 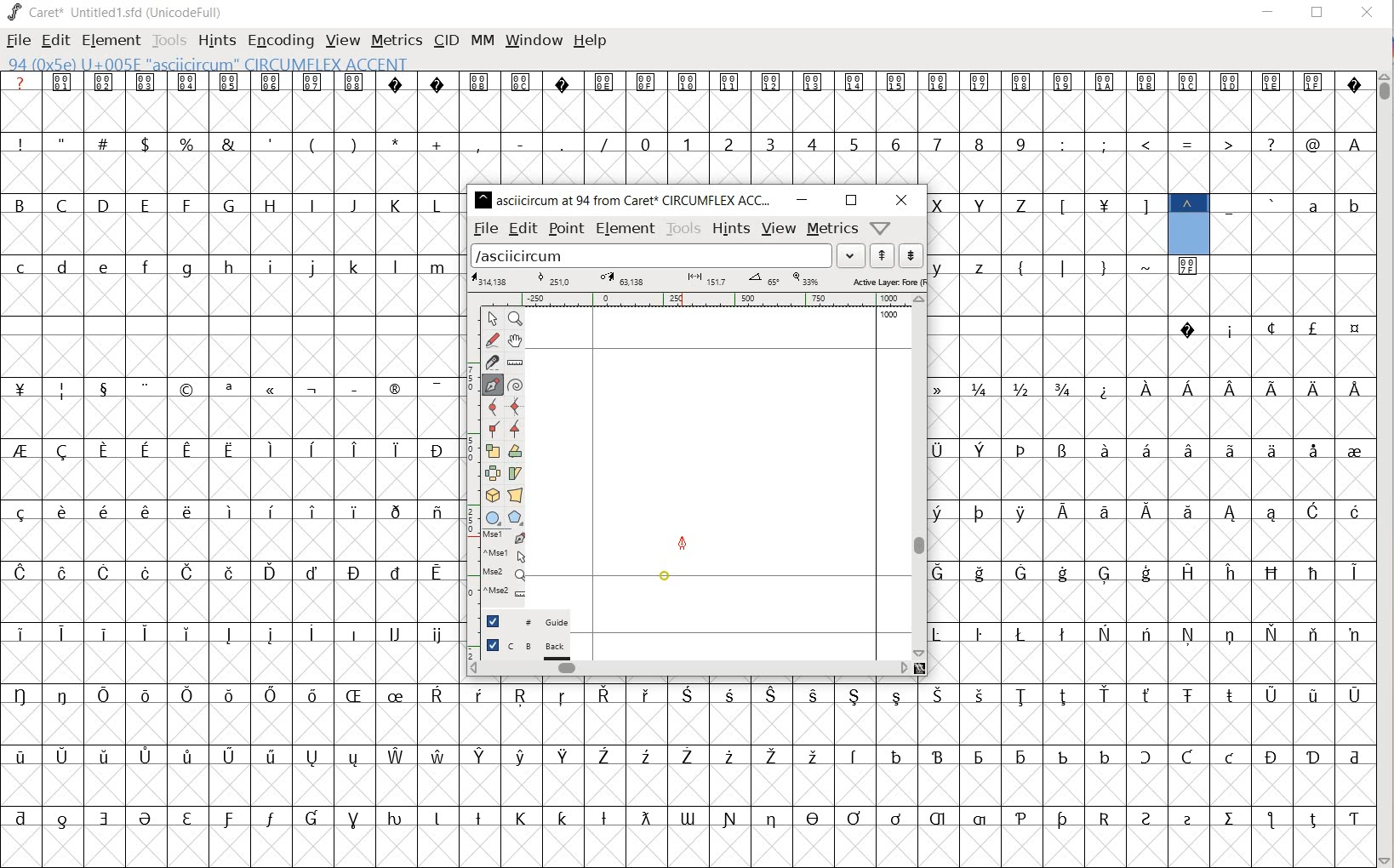 I want to click on CID, so click(x=445, y=40).